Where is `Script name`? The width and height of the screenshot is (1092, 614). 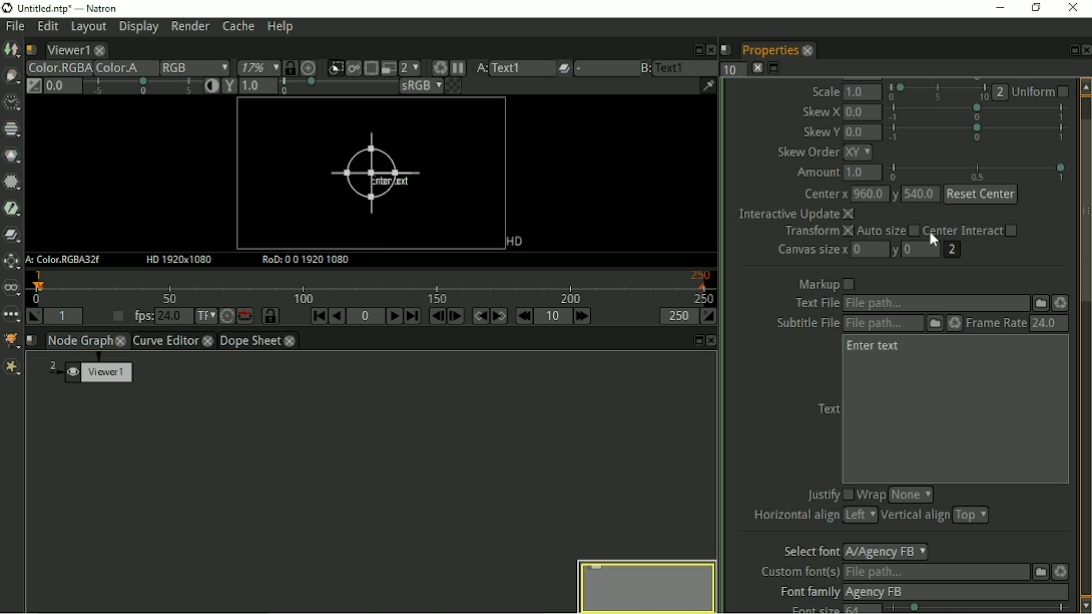 Script name is located at coordinates (31, 50).